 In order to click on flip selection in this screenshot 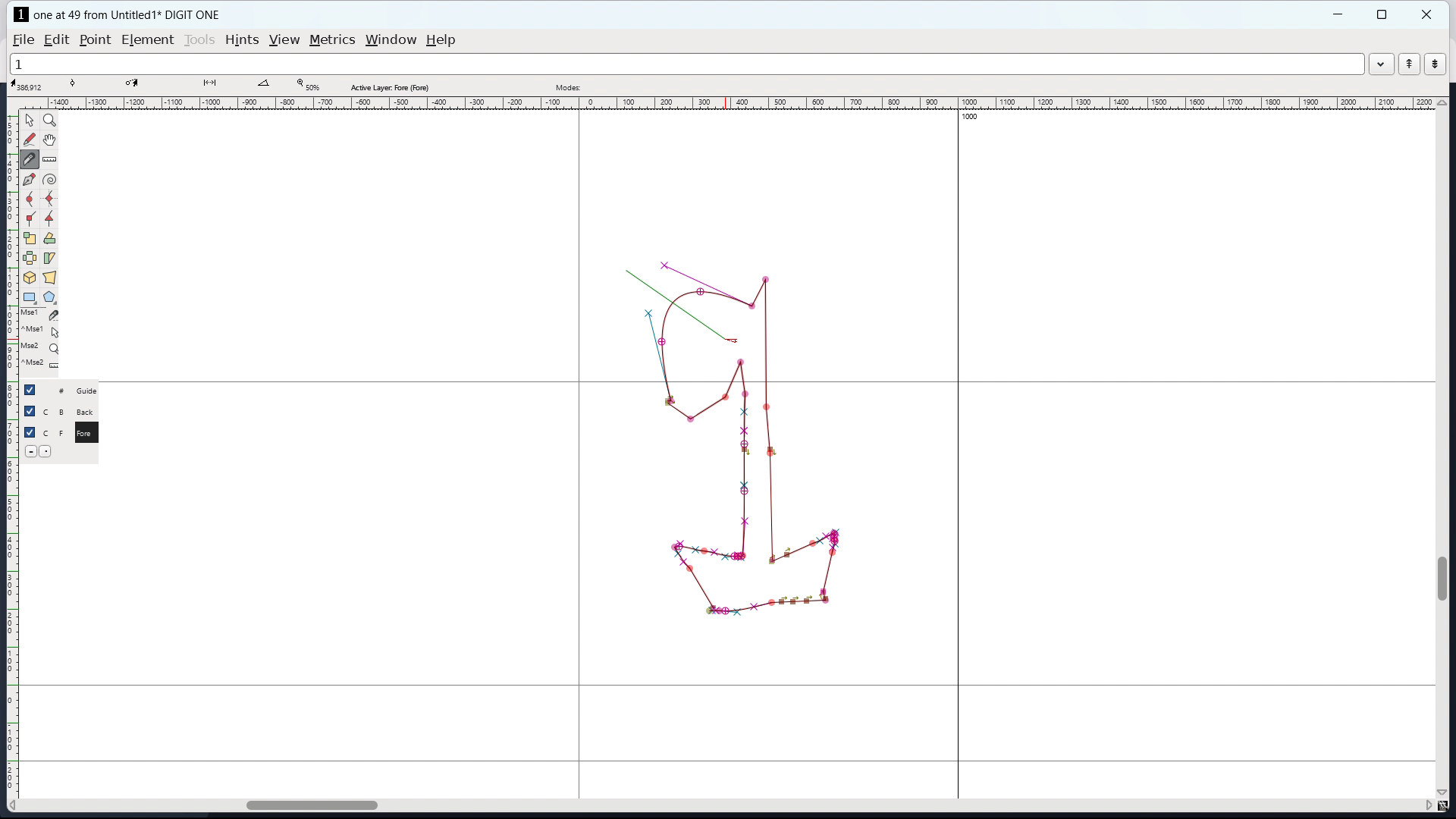, I will do `click(29, 258)`.